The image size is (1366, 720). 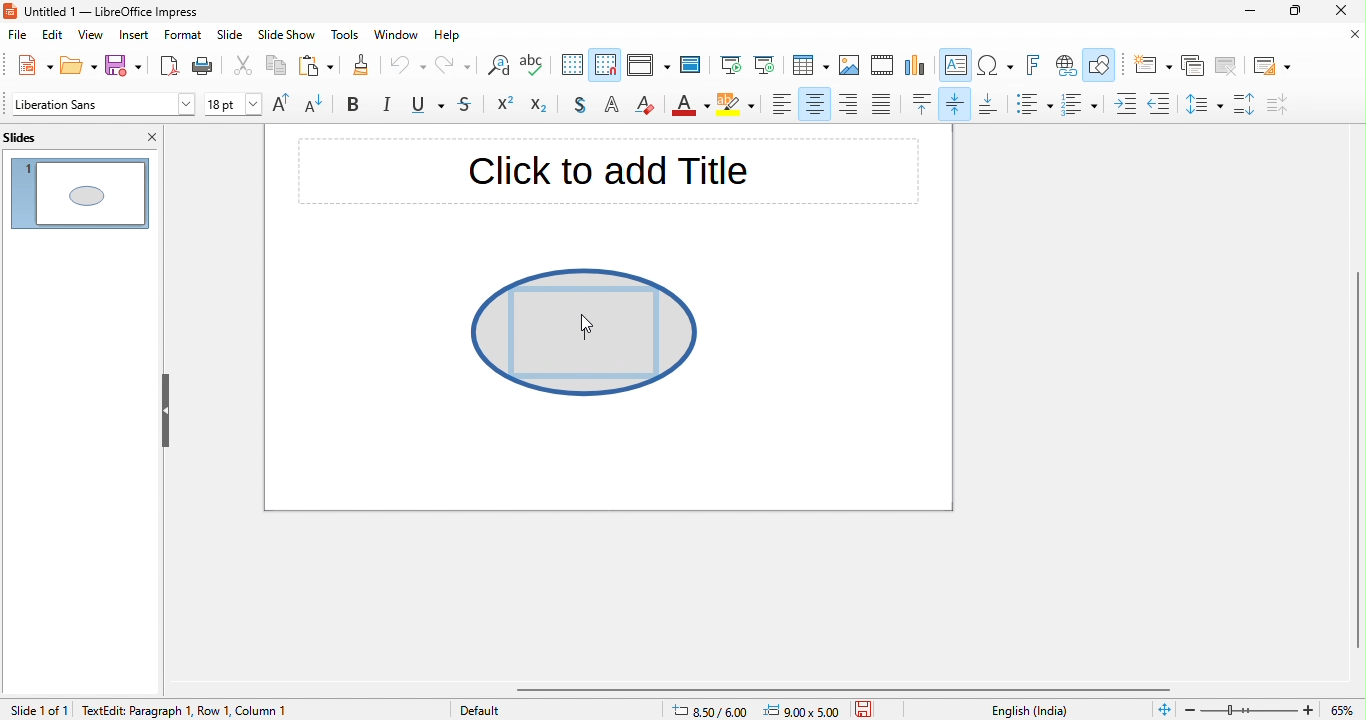 I want to click on increase indent, so click(x=1127, y=103).